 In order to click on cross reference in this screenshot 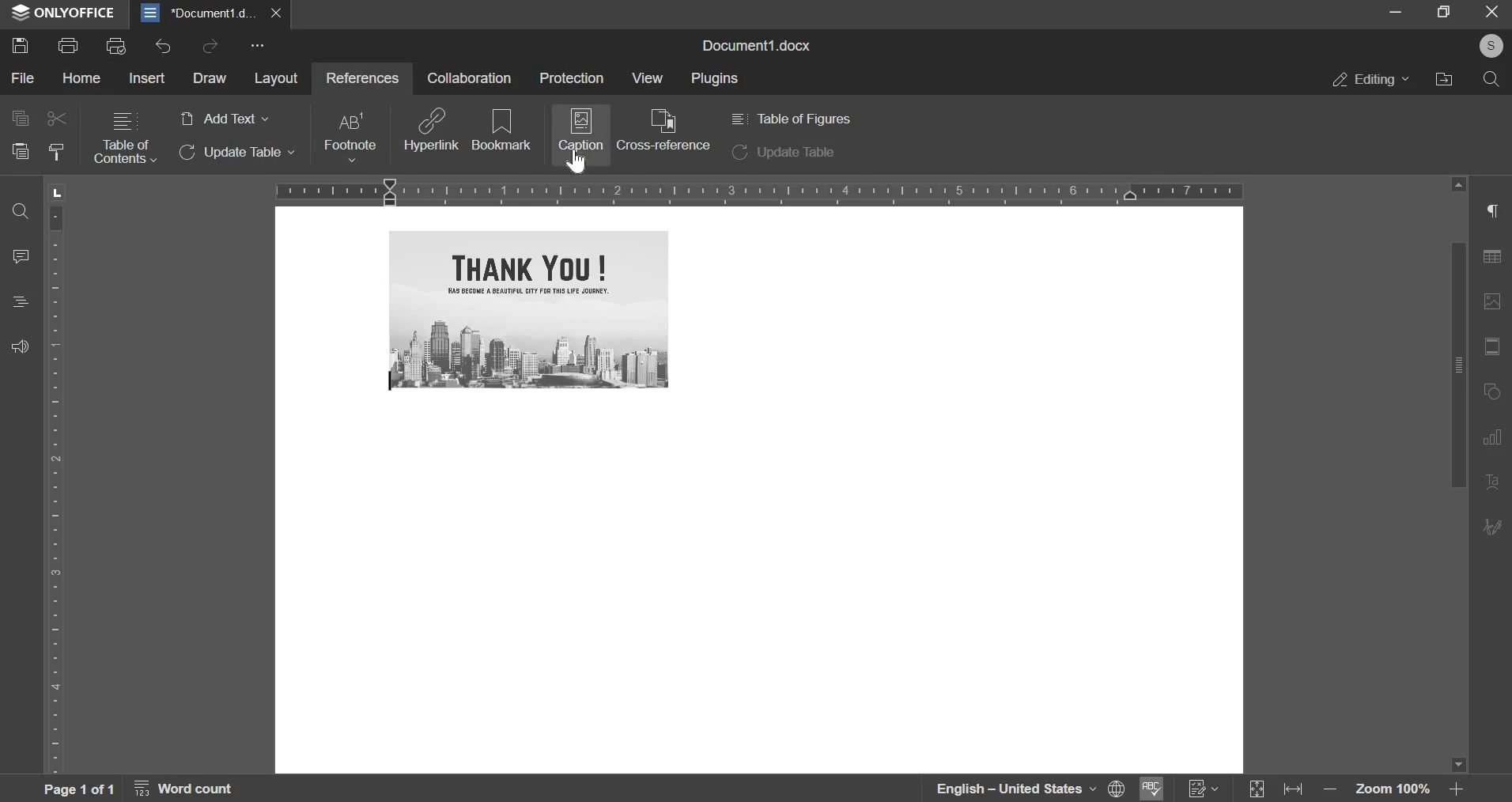, I will do `click(663, 130)`.